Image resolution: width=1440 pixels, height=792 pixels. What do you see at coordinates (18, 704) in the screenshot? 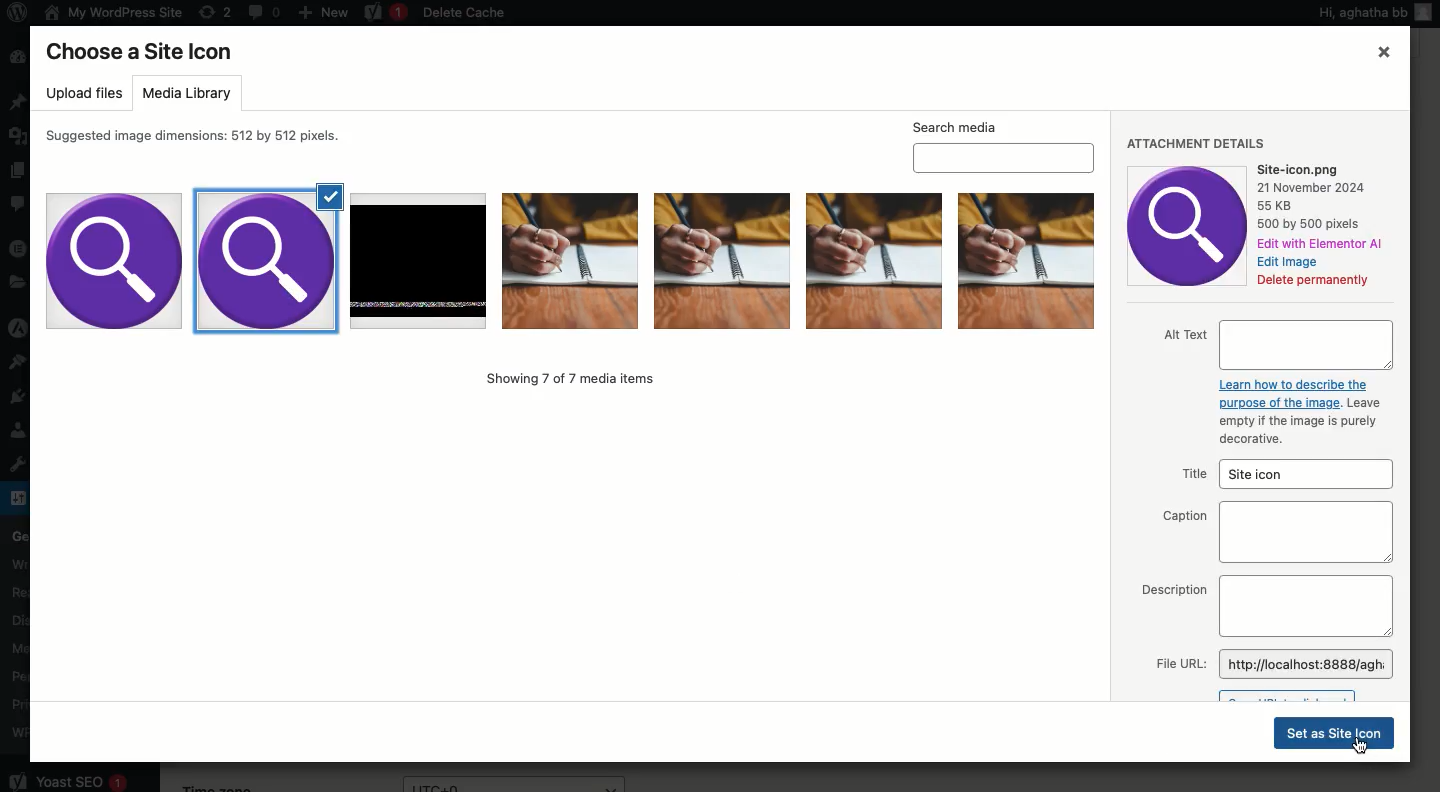
I see `Privacy` at bounding box center [18, 704].